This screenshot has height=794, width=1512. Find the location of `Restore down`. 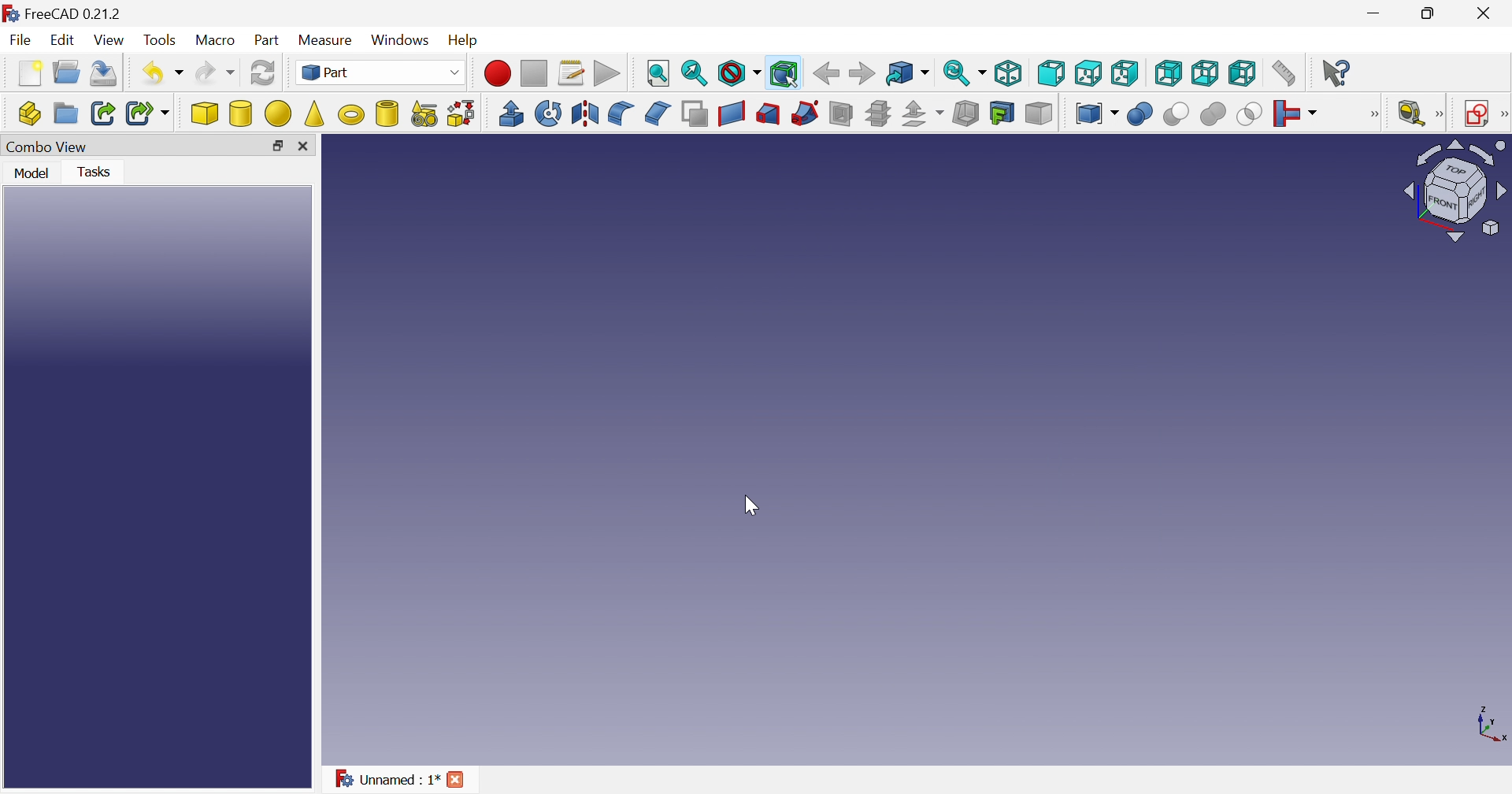

Restore down is located at coordinates (1435, 13).